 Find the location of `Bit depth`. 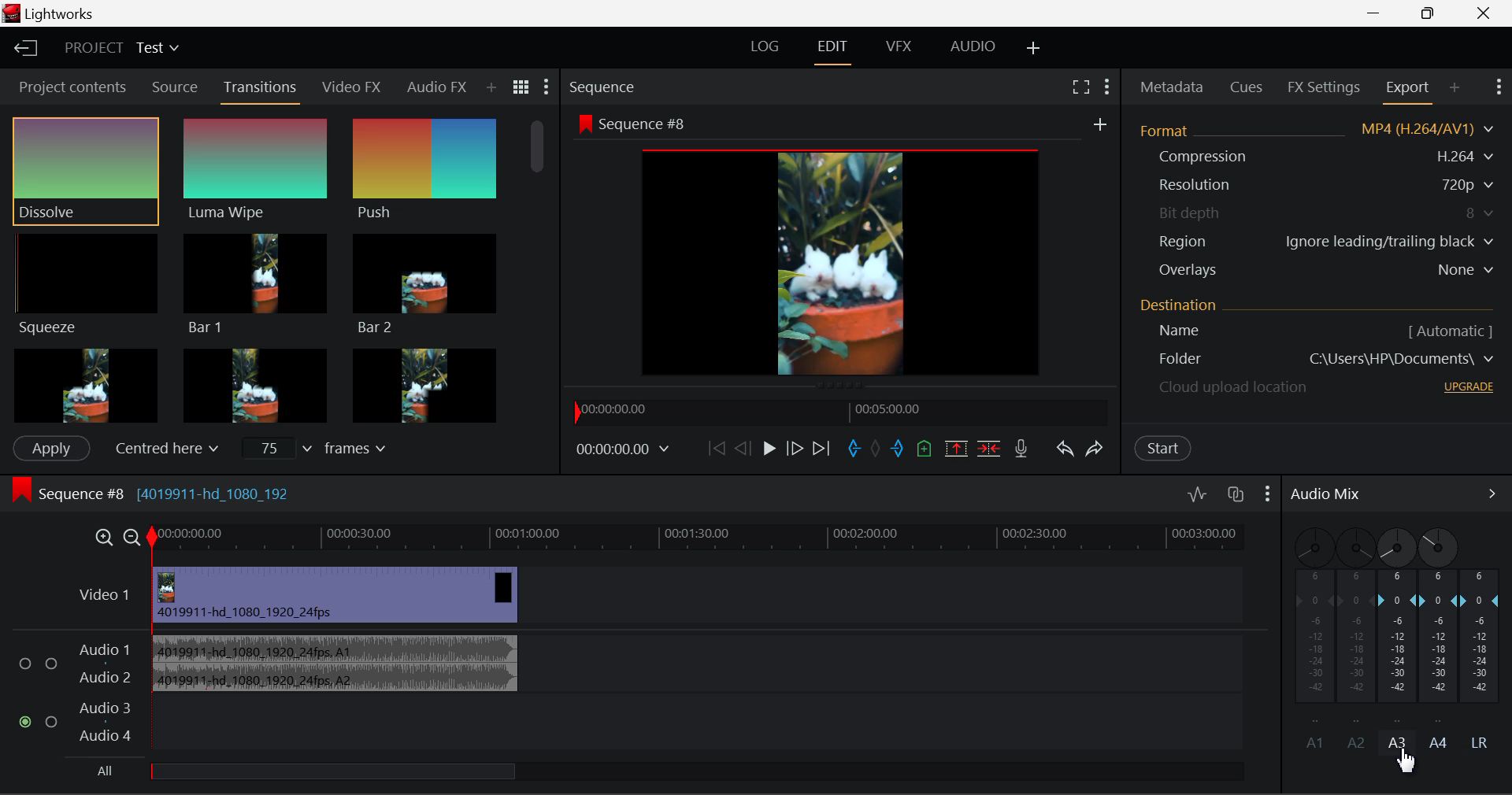

Bit depth is located at coordinates (1315, 213).